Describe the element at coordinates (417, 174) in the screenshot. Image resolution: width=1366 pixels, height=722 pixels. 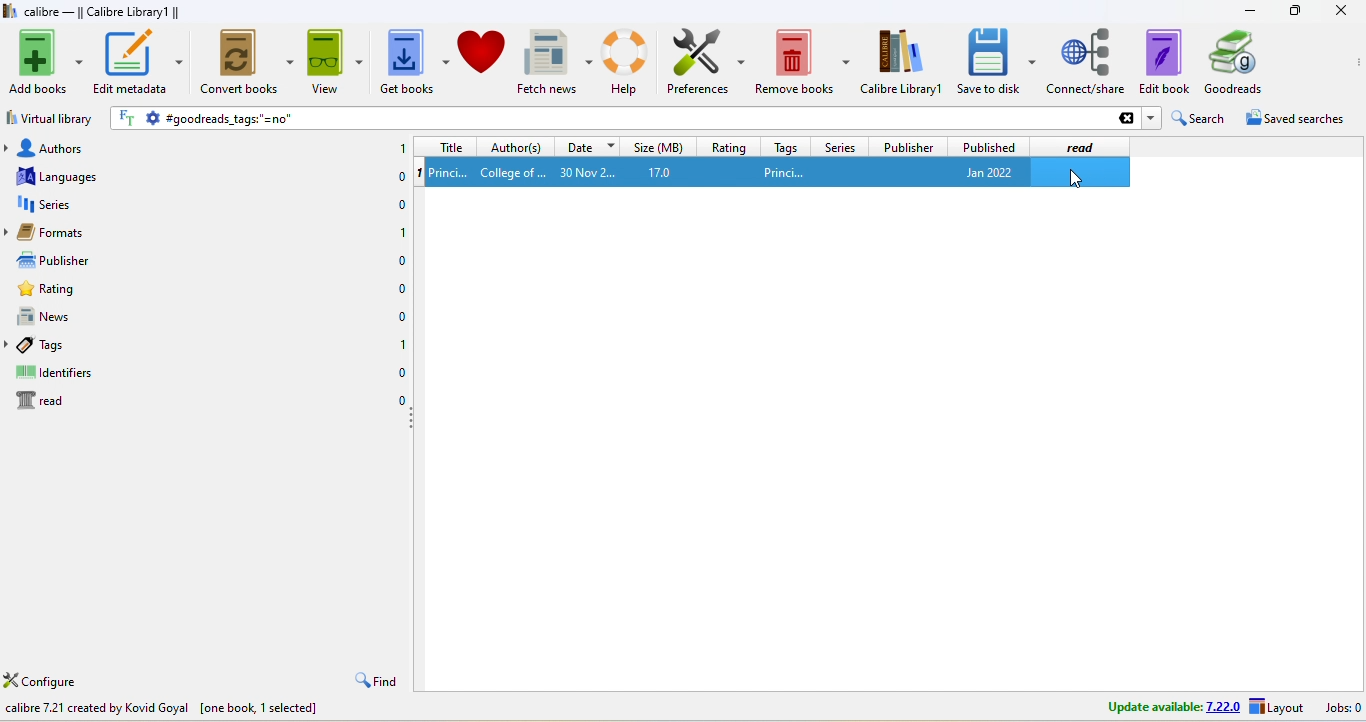
I see `1` at that location.